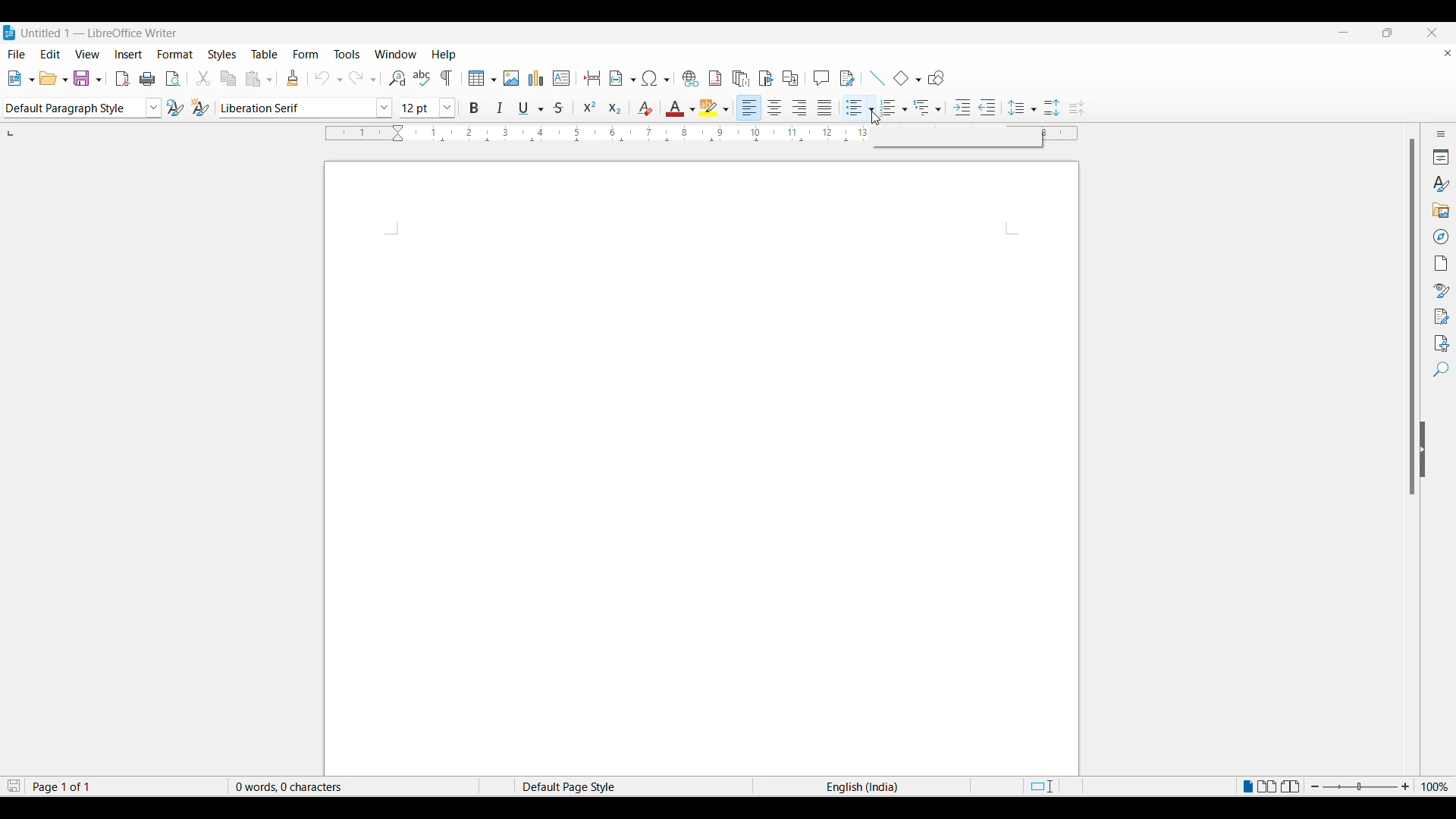 The width and height of the screenshot is (1456, 819). What do you see at coordinates (54, 78) in the screenshot?
I see `open document` at bounding box center [54, 78].